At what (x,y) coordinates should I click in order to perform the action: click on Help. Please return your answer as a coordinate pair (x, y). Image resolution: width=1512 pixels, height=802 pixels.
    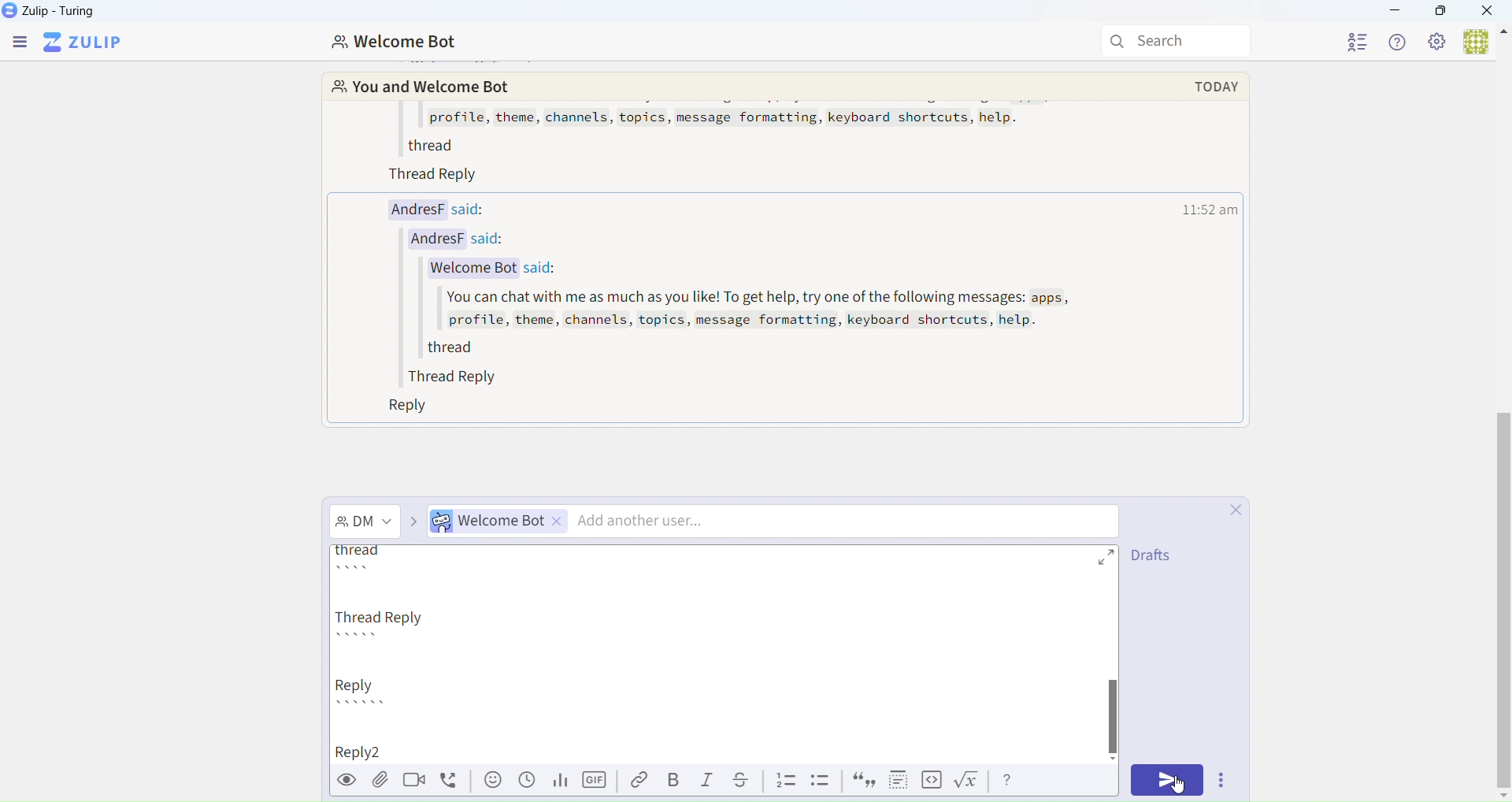
    Looking at the image, I should click on (1395, 43).